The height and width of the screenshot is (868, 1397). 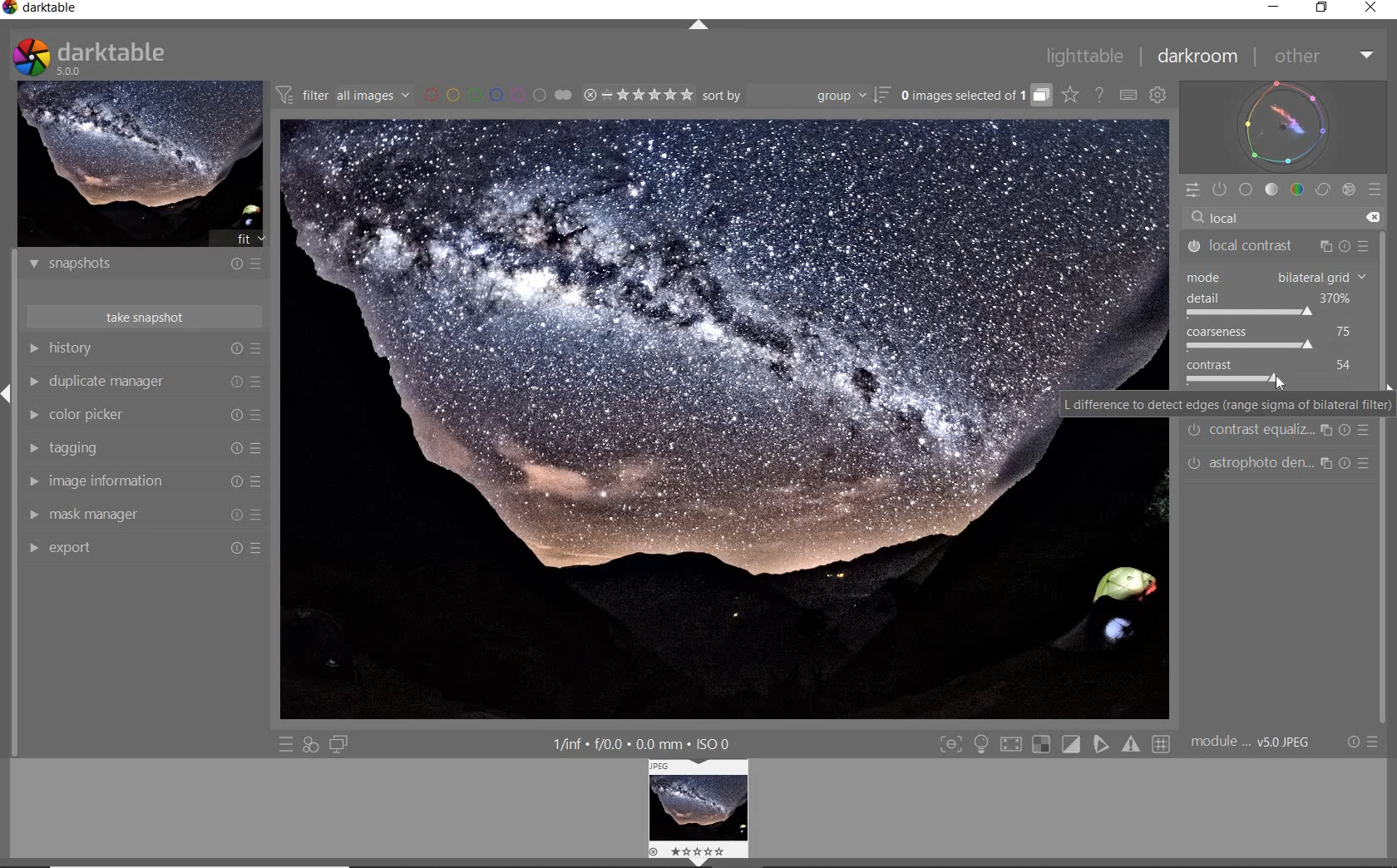 I want to click on CORRECT, so click(x=1322, y=190).